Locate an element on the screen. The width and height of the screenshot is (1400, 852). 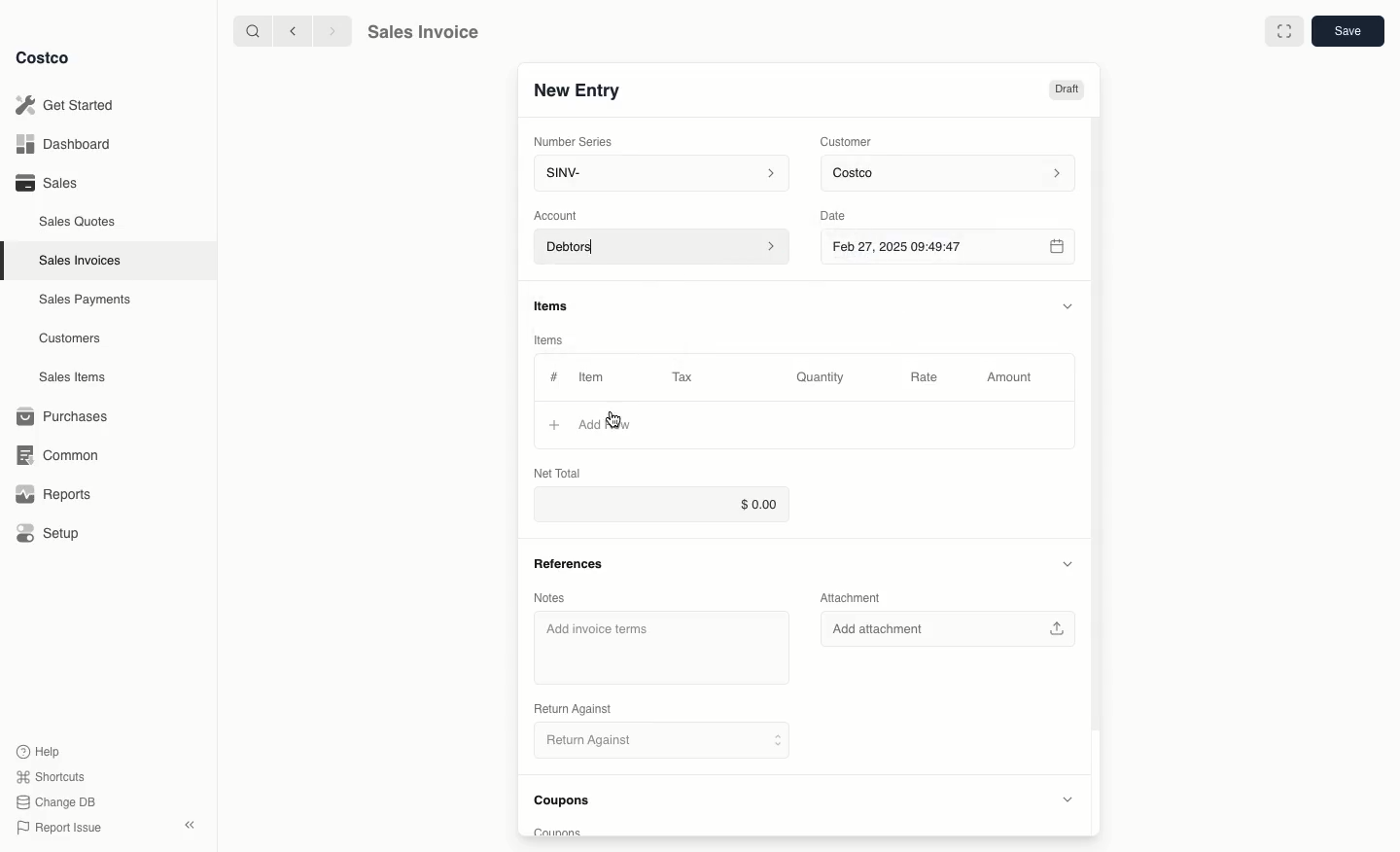
Sales Items is located at coordinates (75, 375).